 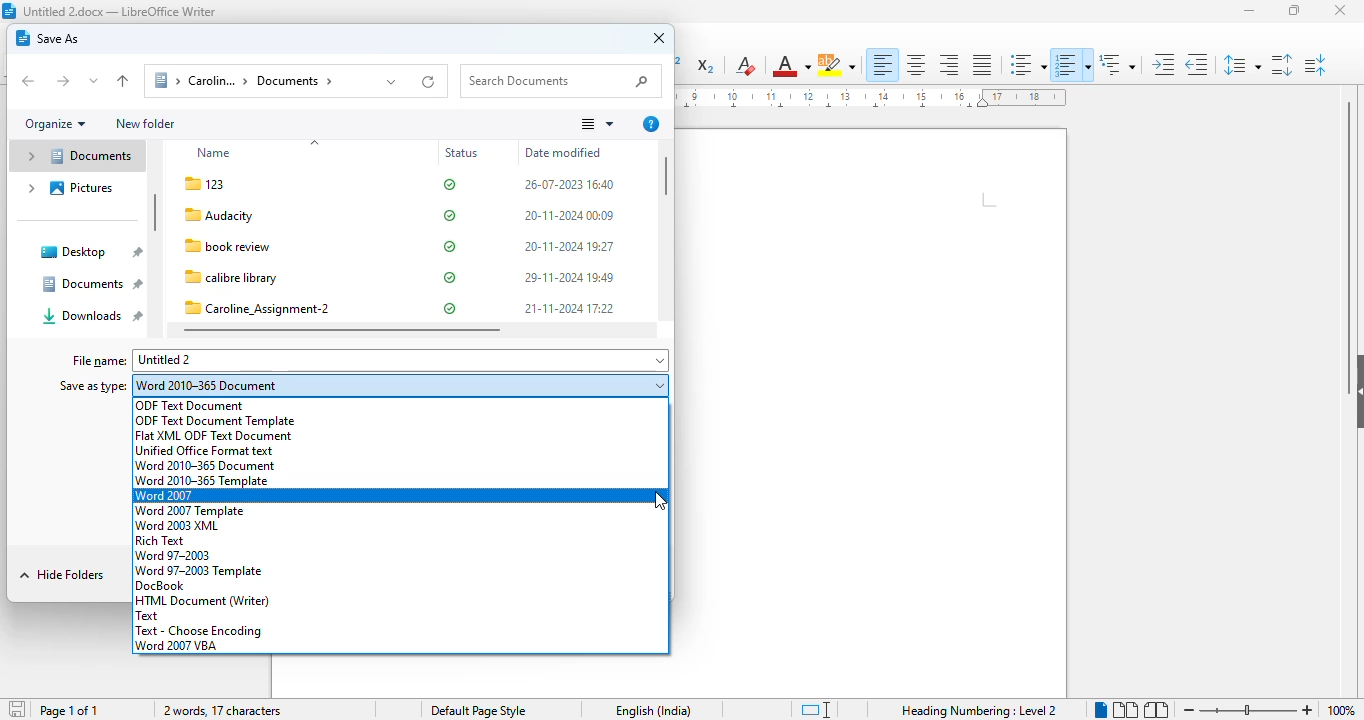 I want to click on horizontal scroll bar, so click(x=342, y=330).